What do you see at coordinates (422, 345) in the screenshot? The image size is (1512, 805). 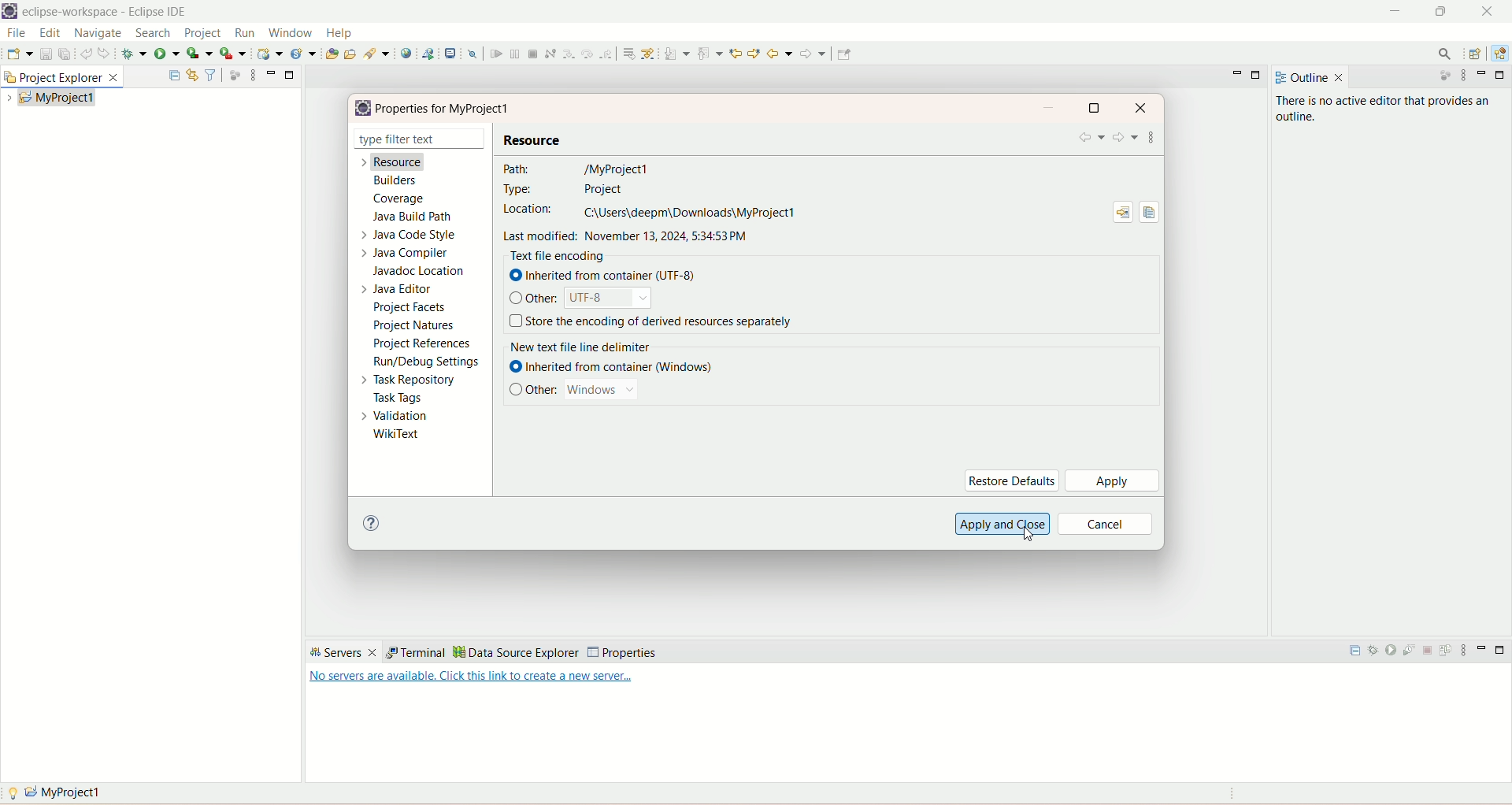 I see `project references` at bounding box center [422, 345].